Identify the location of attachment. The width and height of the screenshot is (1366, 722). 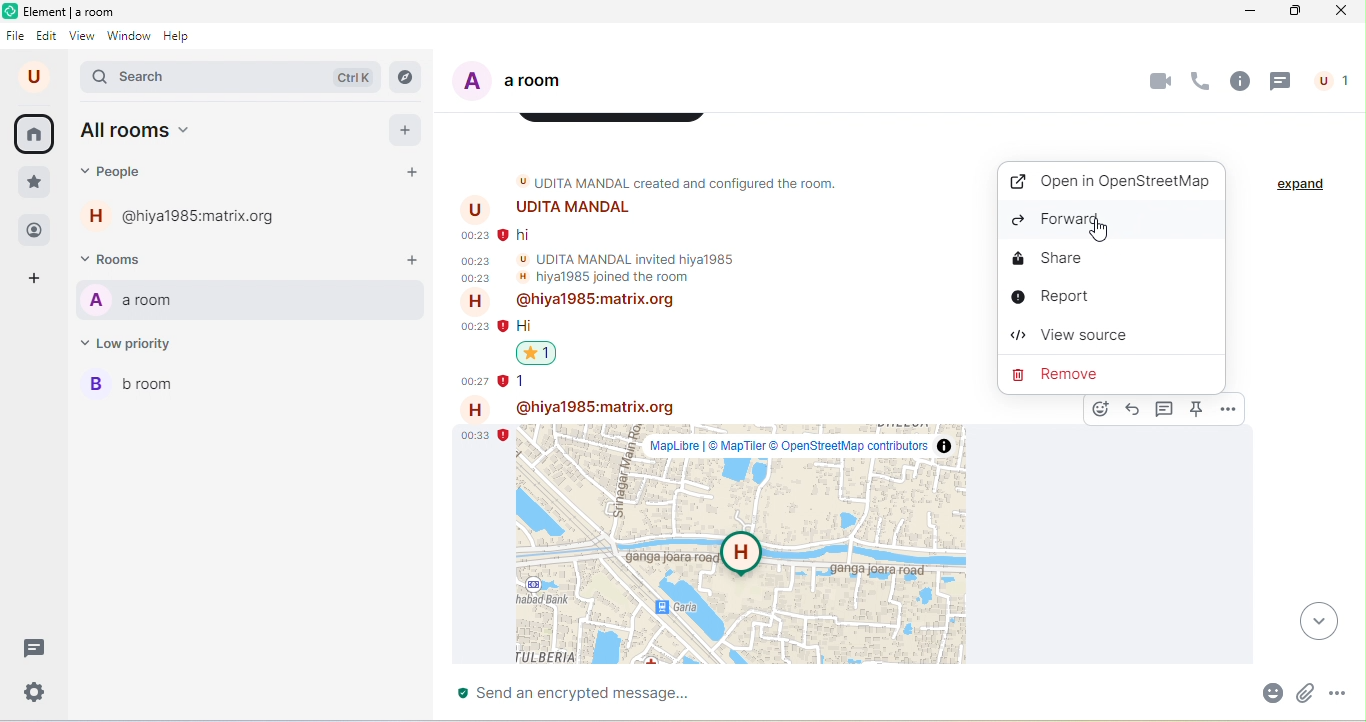
(1306, 692).